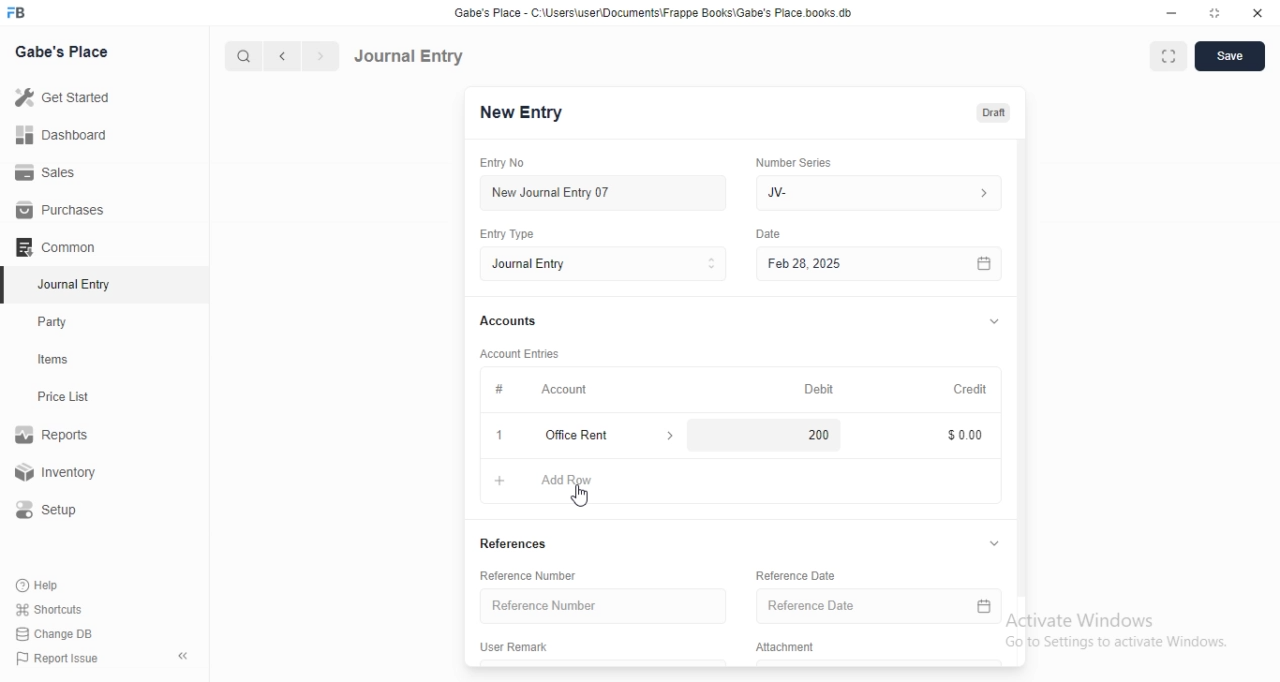  Describe the element at coordinates (521, 353) in the screenshot. I see `‘Account Entries` at that location.